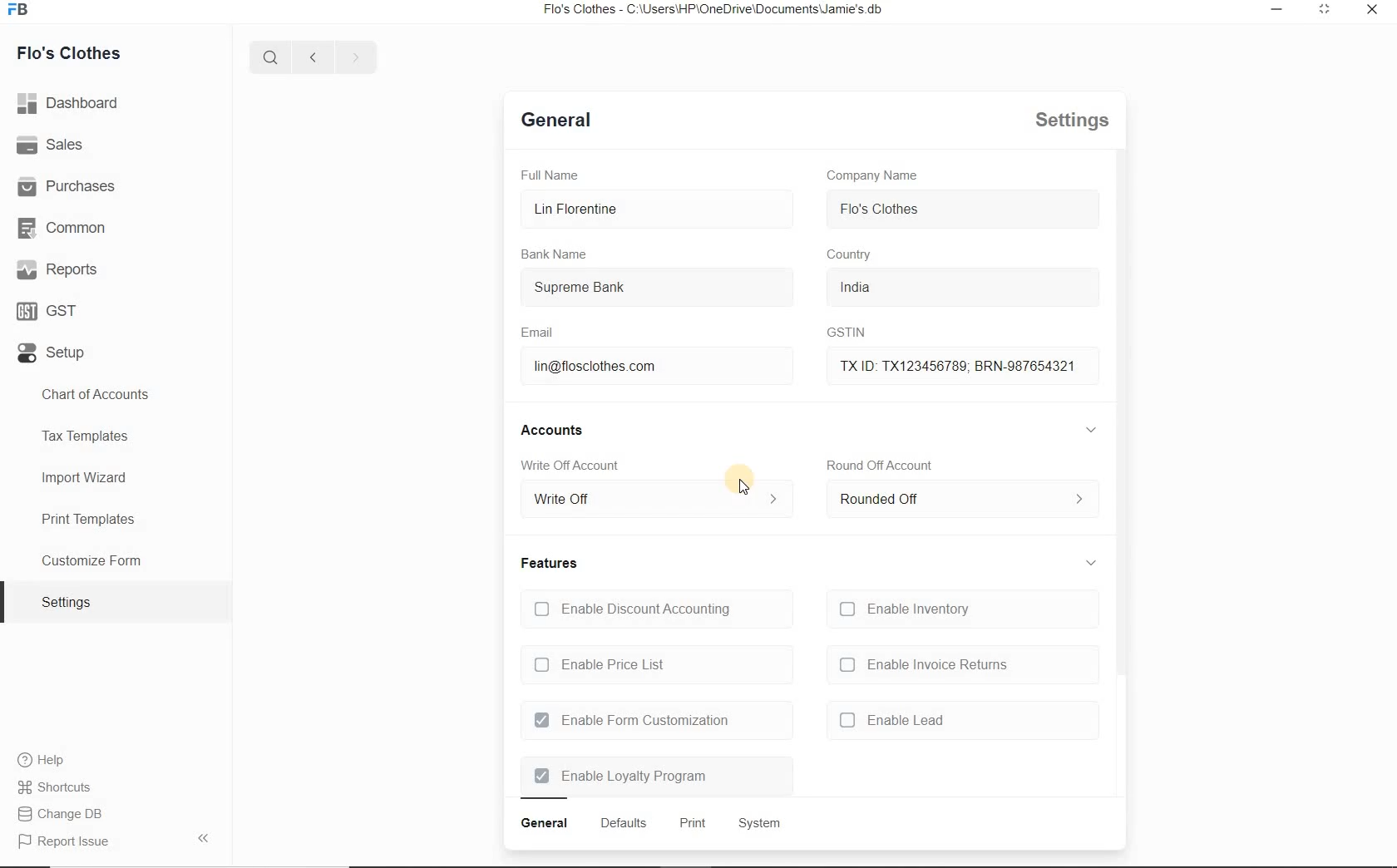  I want to click on settings, so click(1065, 121).